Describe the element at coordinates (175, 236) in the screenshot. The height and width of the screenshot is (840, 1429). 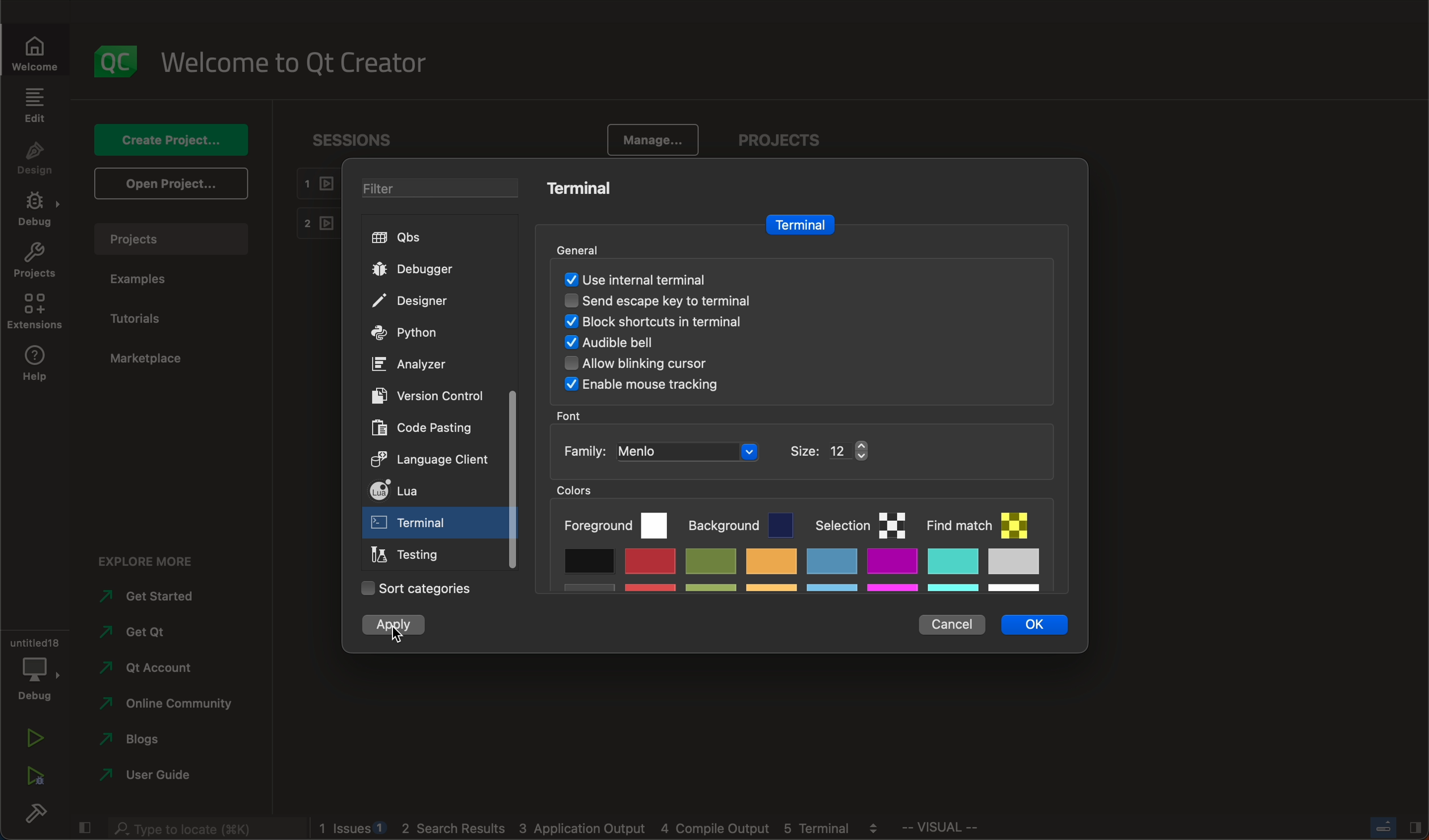
I see `projects` at that location.